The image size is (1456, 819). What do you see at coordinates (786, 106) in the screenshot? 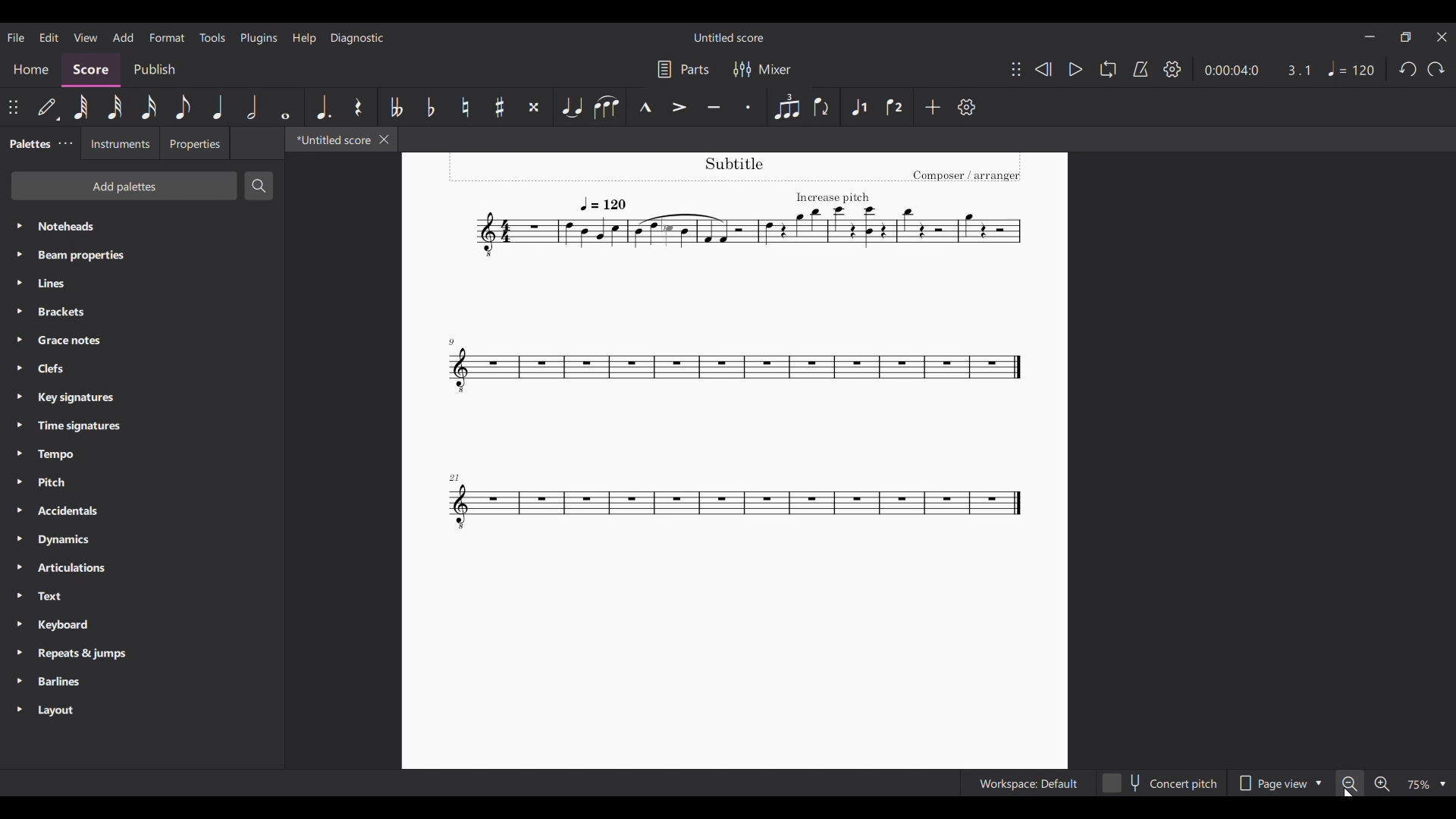
I see `Tuplet` at bounding box center [786, 106].